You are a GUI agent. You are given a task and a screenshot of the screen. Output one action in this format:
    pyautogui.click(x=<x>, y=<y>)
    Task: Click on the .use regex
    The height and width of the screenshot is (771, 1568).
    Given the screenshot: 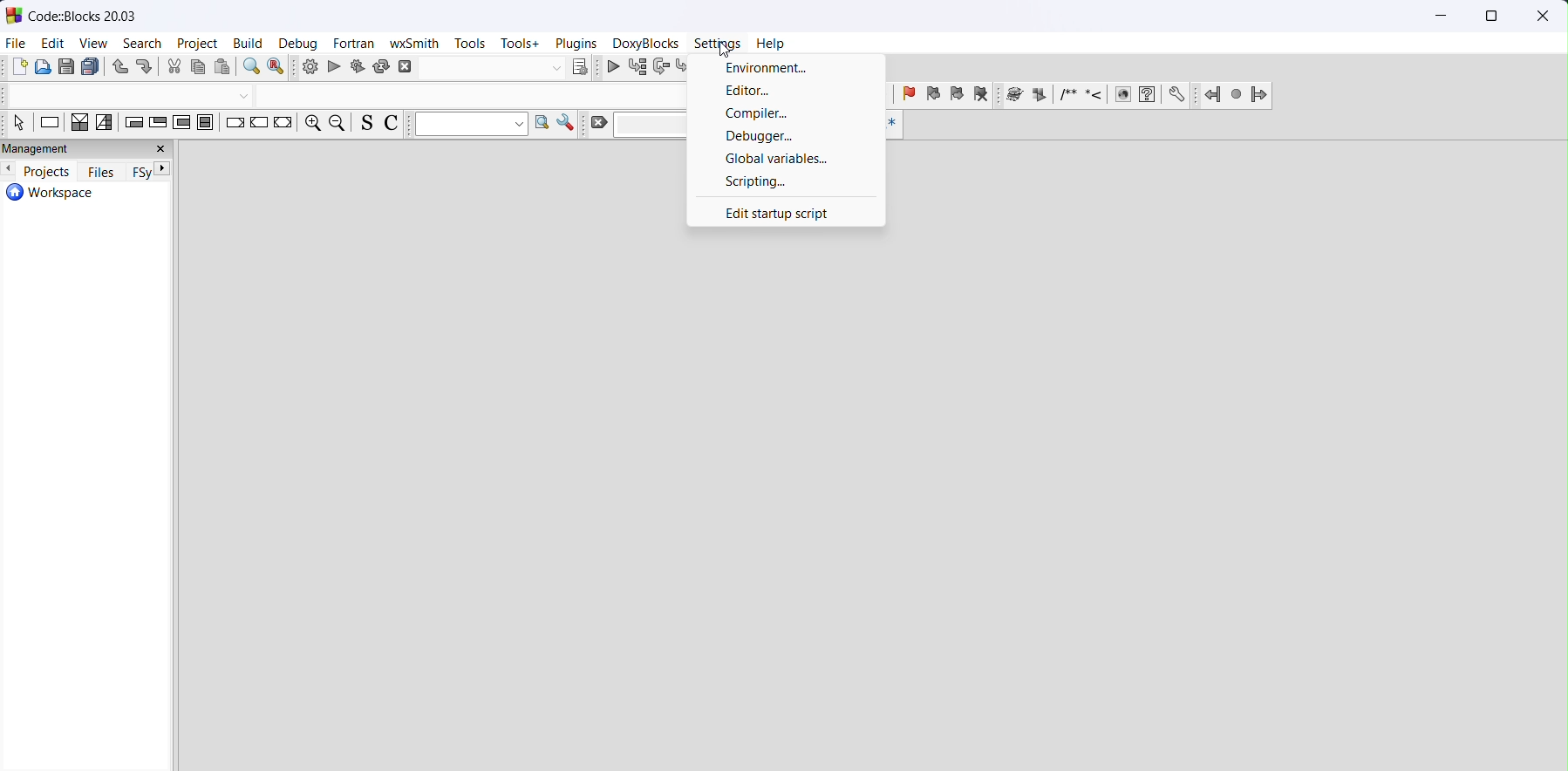 What is the action you would take?
    pyautogui.click(x=892, y=125)
    